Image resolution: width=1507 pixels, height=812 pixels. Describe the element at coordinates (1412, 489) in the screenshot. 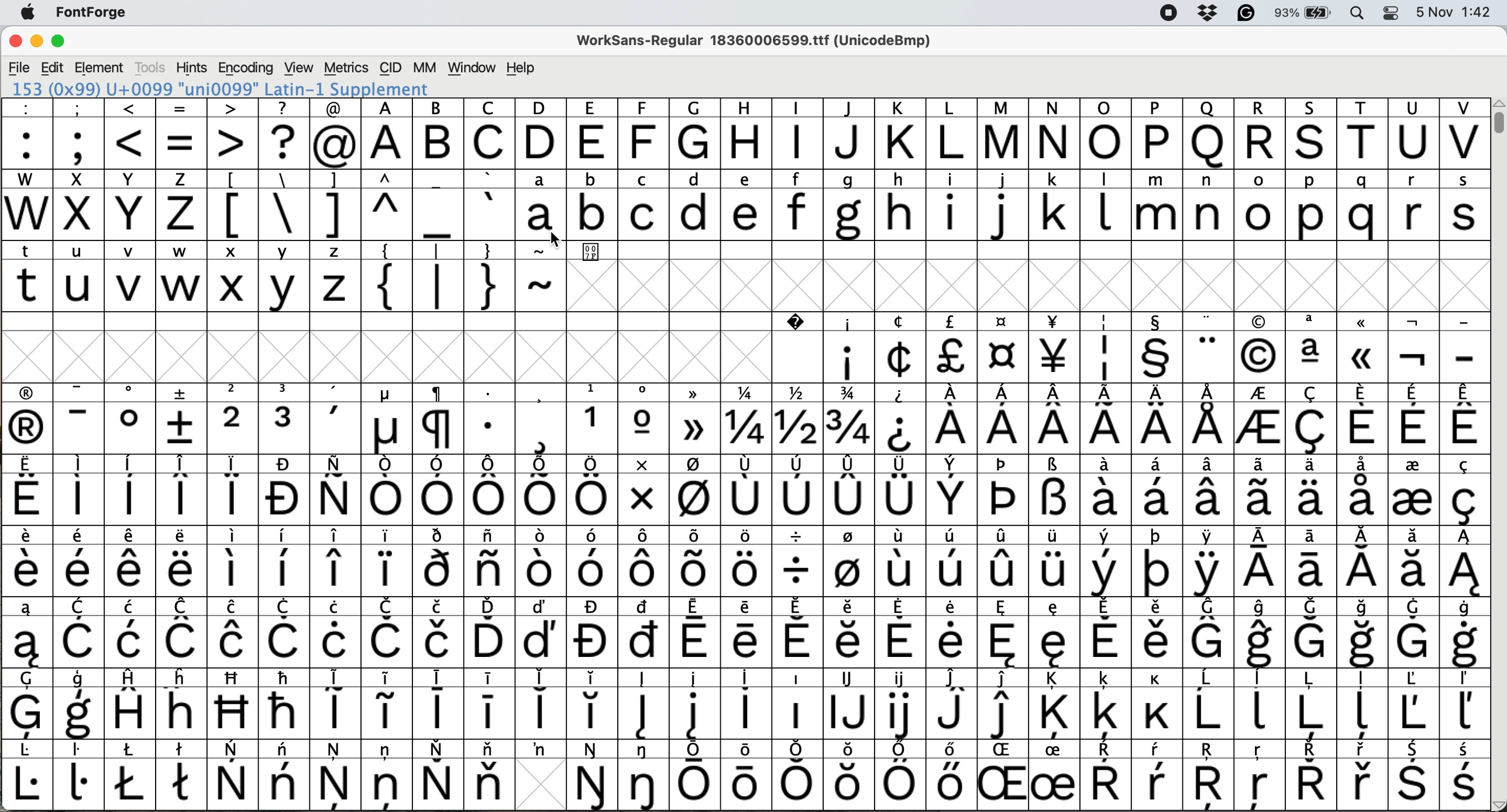

I see `symbol` at that location.